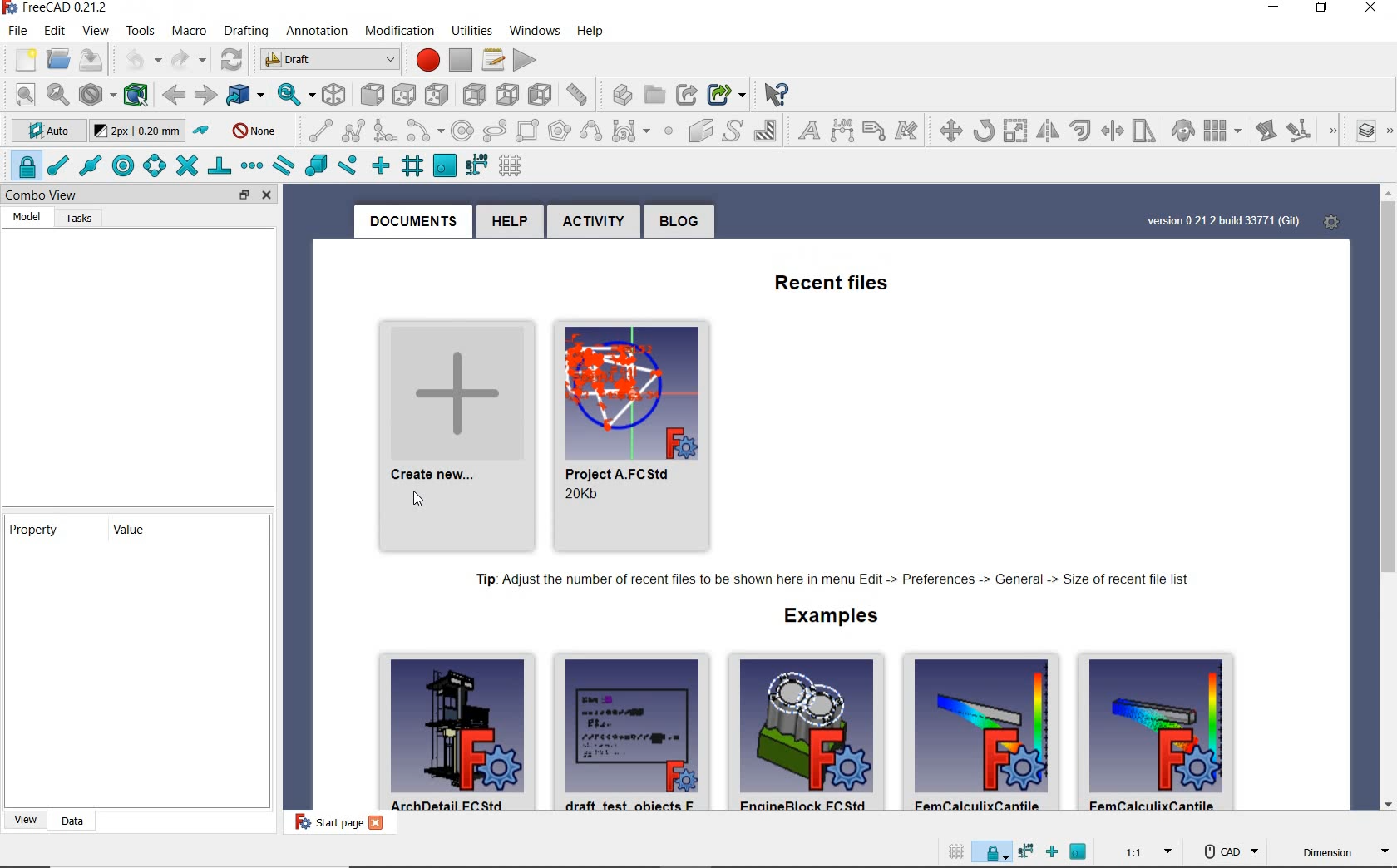 This screenshot has width=1397, height=868. I want to click on what's this?, so click(728, 91).